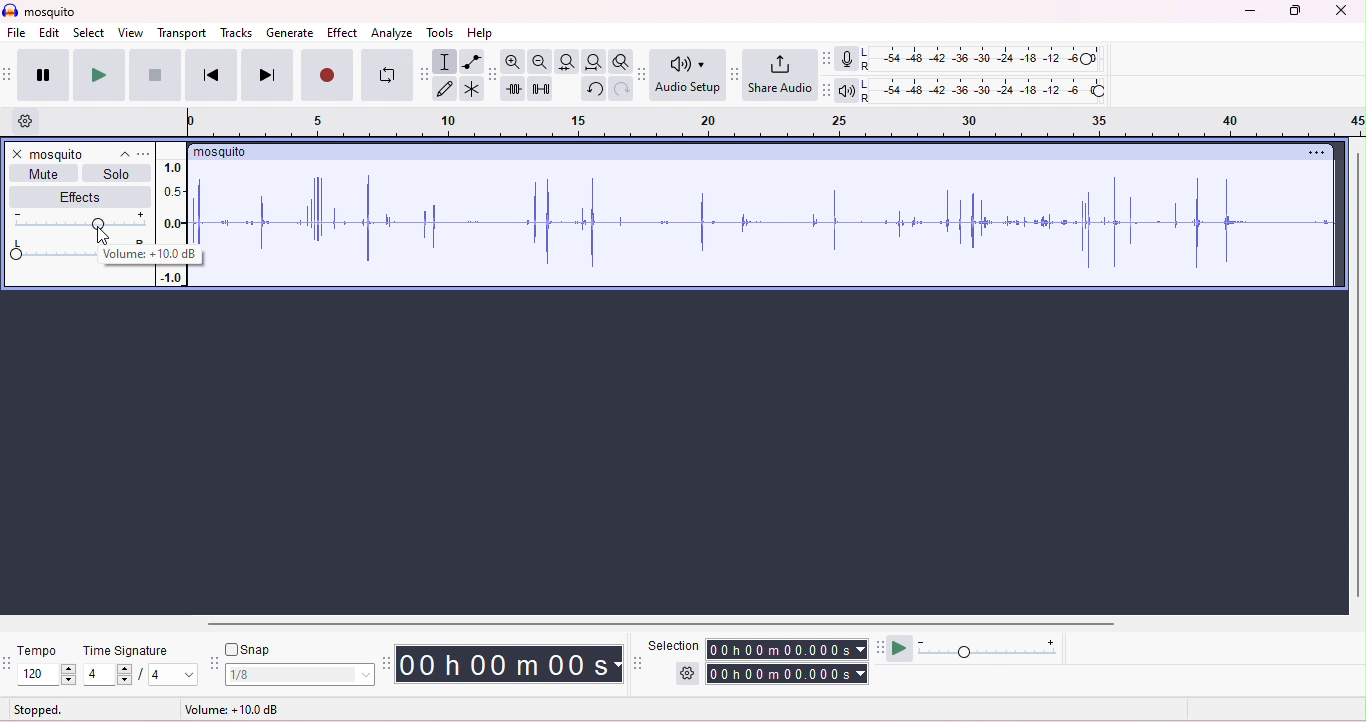 Image resolution: width=1366 pixels, height=722 pixels. I want to click on help, so click(482, 34).